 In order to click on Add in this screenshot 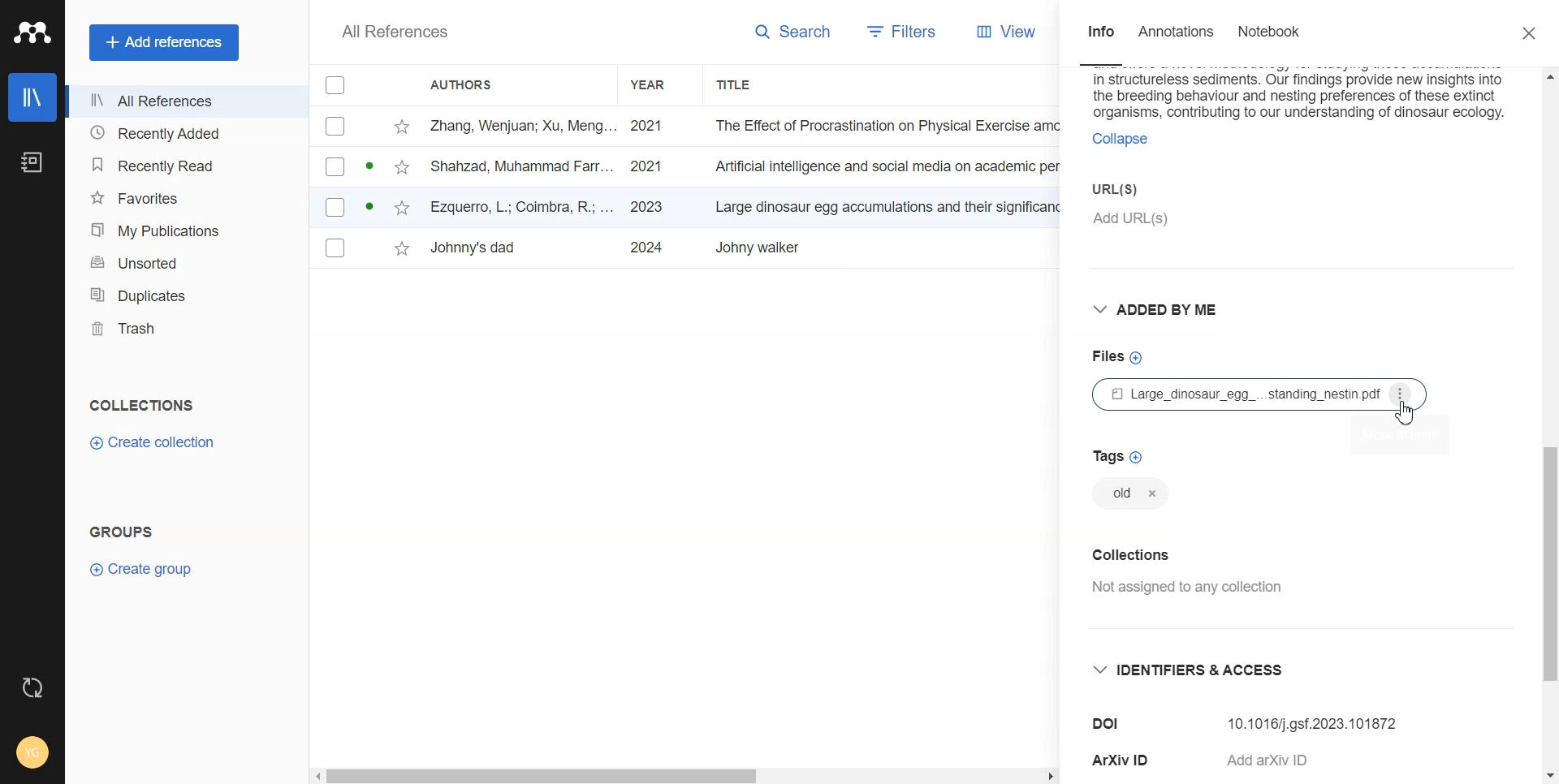, I will do `click(1283, 757)`.